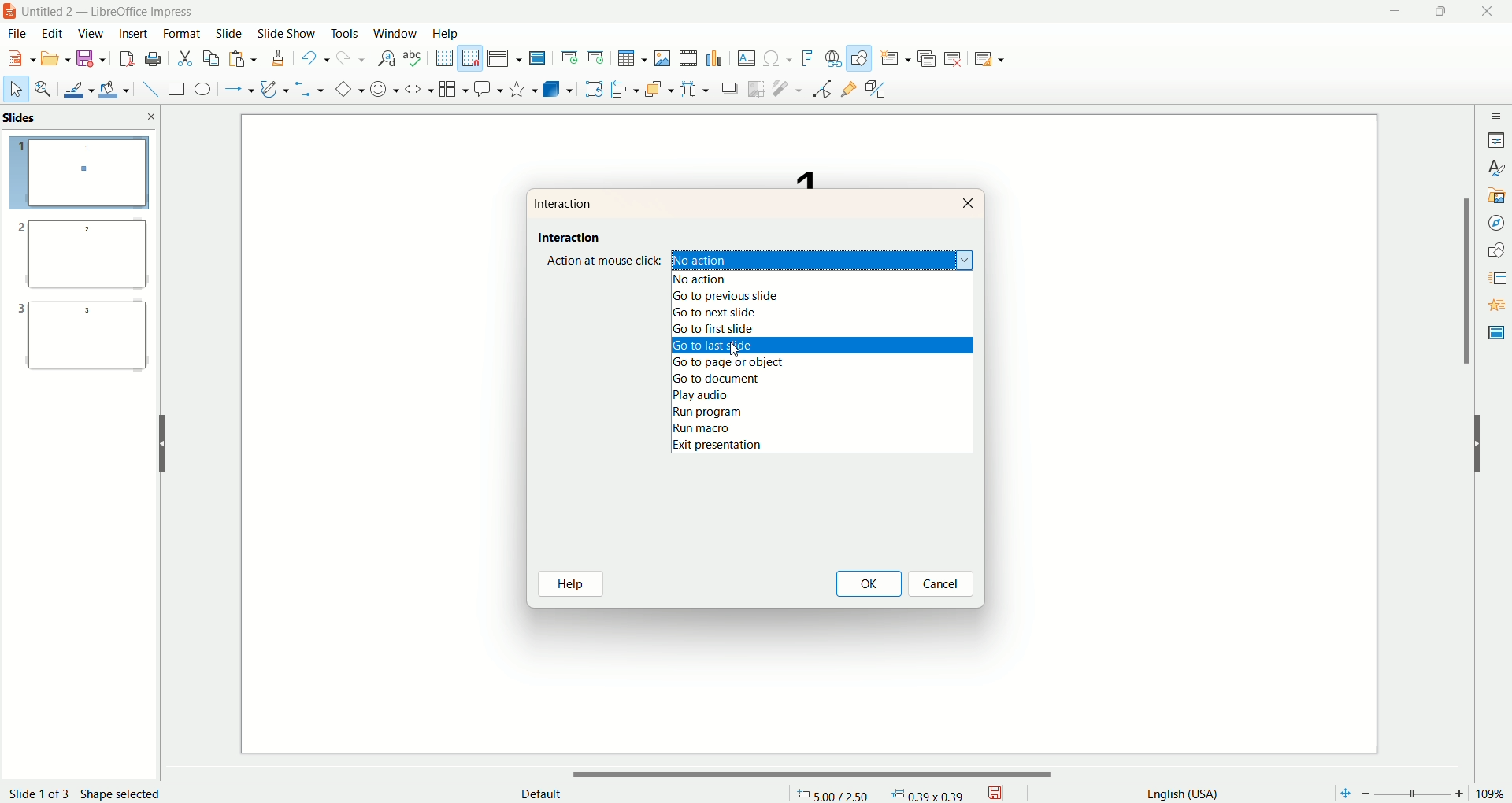 This screenshot has width=1512, height=803. I want to click on exit presentation, so click(754, 447).